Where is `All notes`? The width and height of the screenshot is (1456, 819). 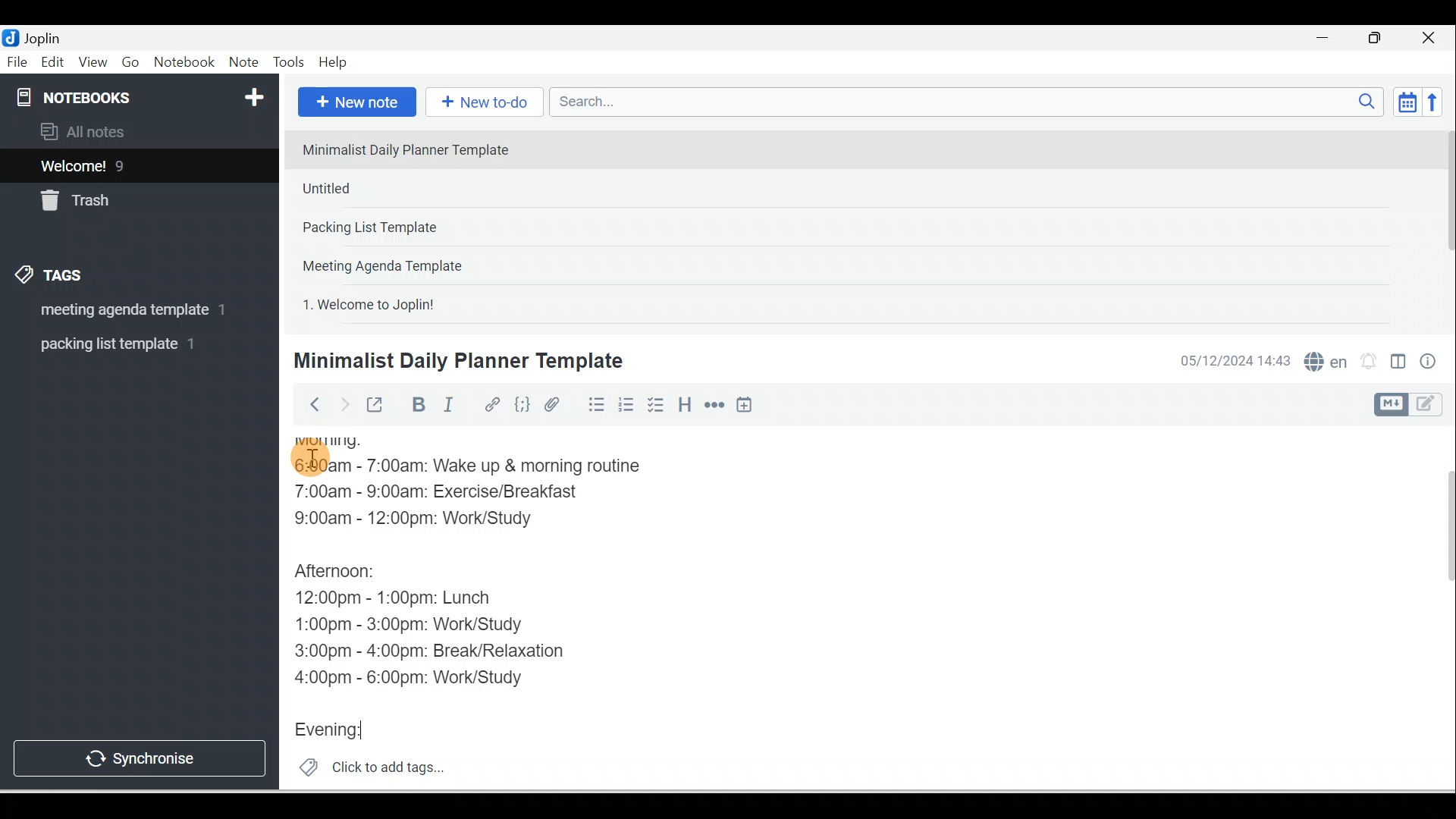
All notes is located at coordinates (137, 131).